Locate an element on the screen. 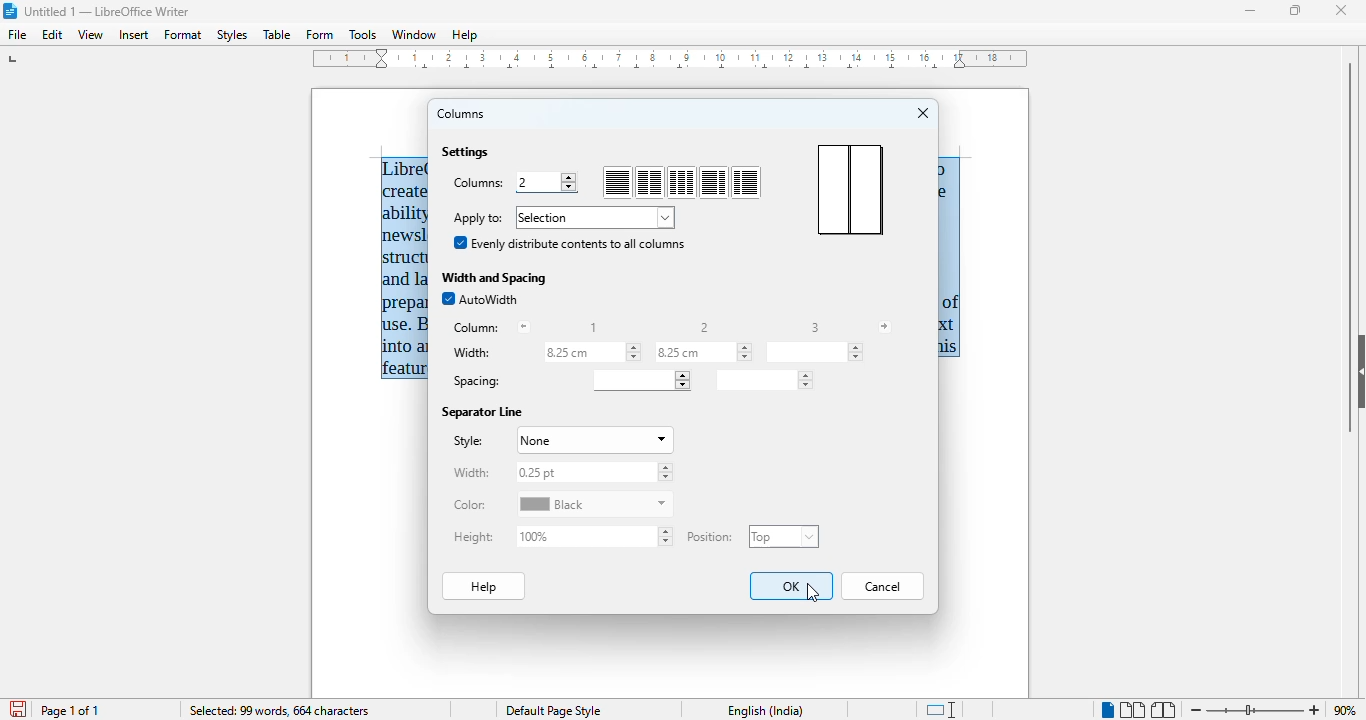  0.25 pt is located at coordinates (593, 472).